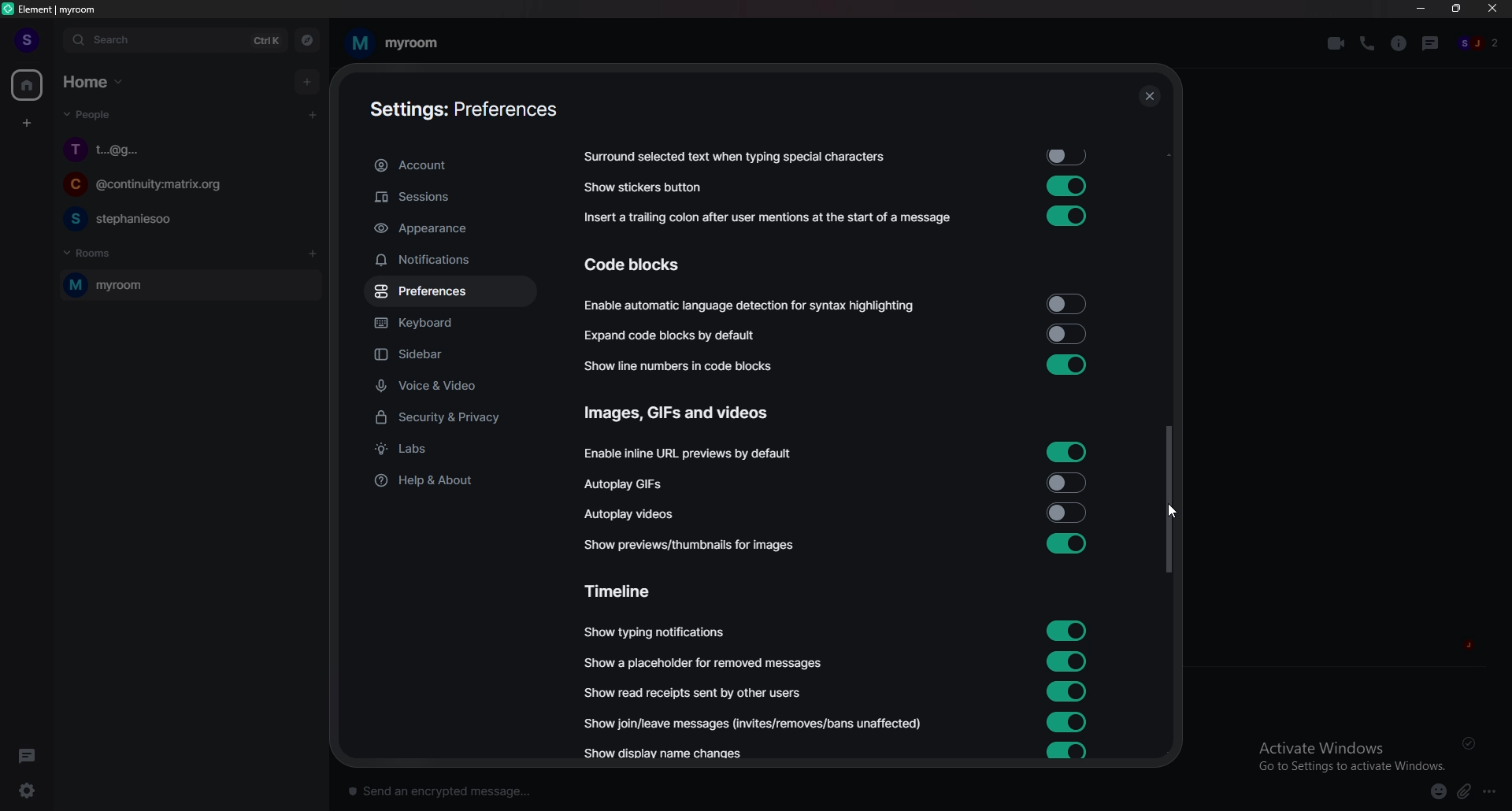 This screenshot has height=811, width=1512. I want to click on show read rceipts send by other users, so click(695, 692).